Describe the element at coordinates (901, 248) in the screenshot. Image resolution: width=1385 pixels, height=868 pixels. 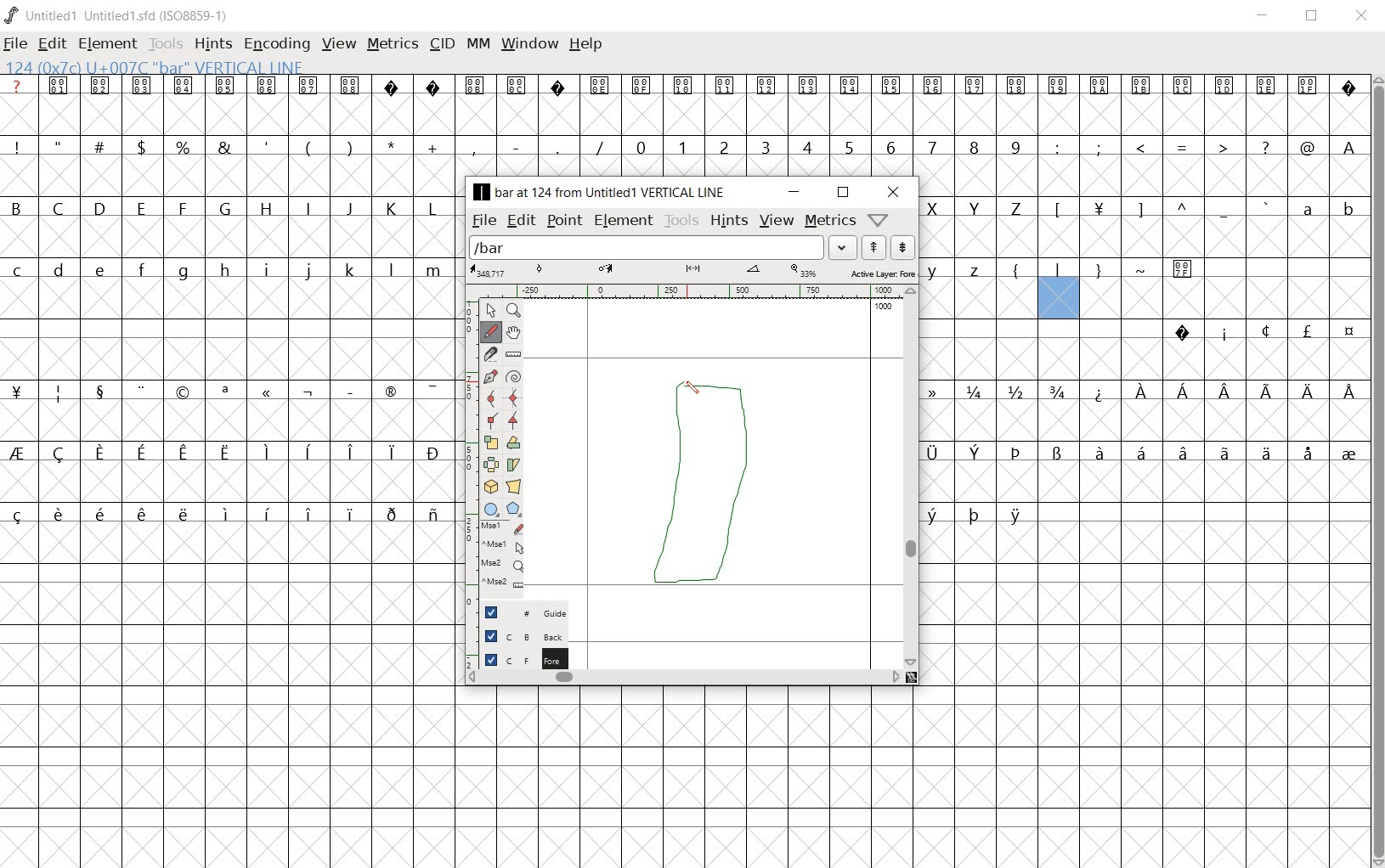
I see `show the next word list` at that location.